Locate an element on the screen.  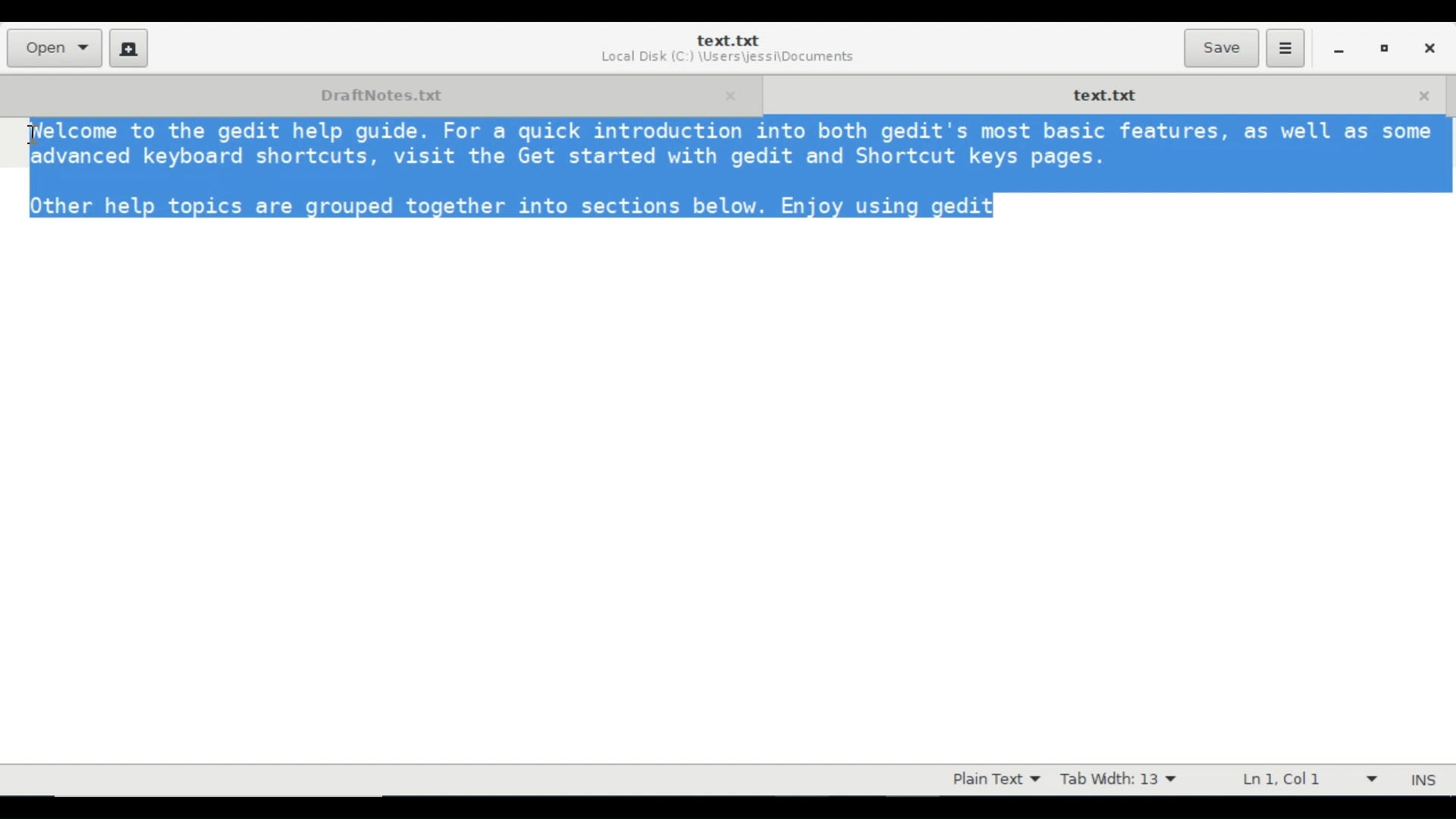
cursor is located at coordinates (33, 133).